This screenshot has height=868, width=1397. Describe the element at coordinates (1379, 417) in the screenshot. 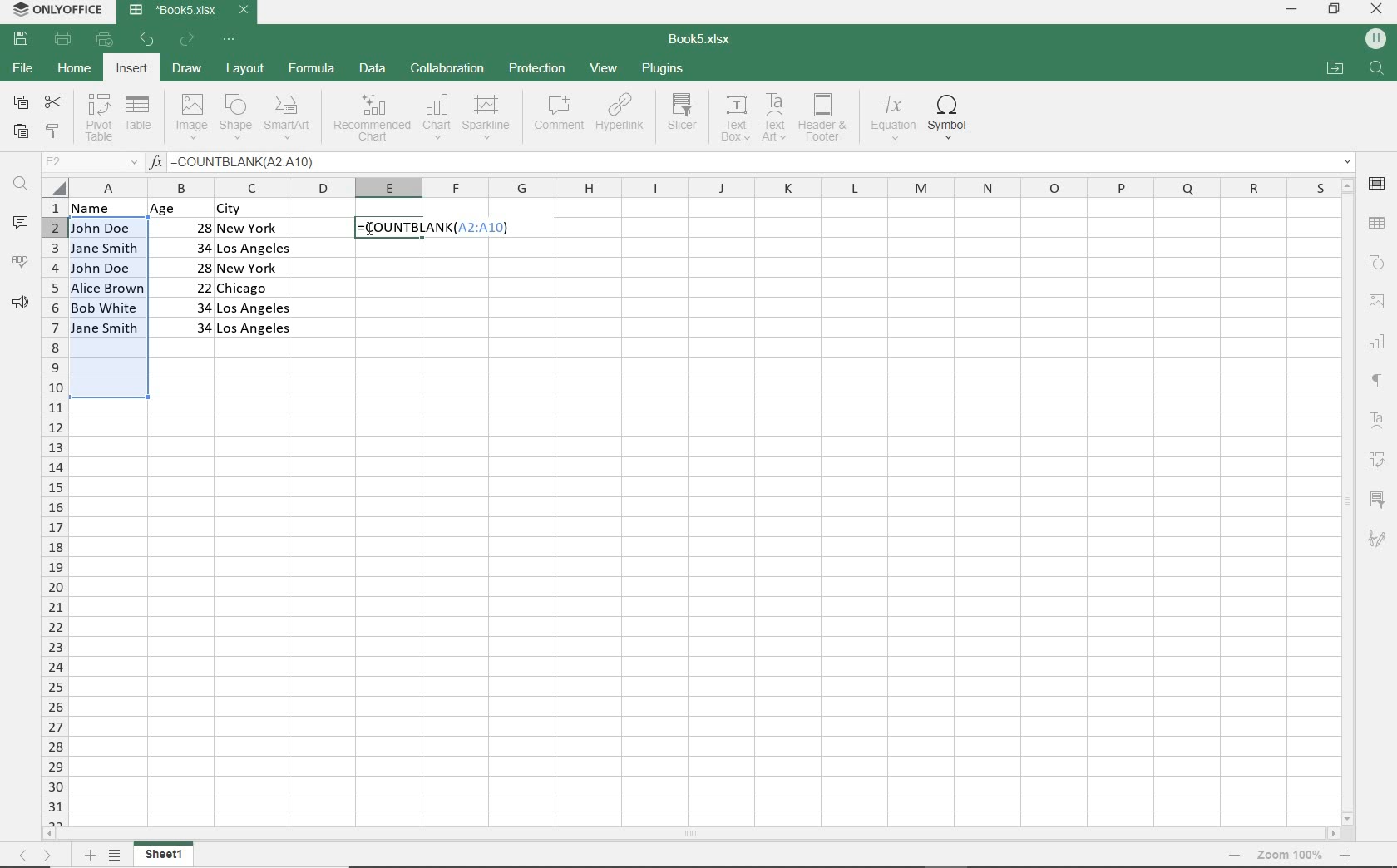

I see `TEXT ART` at that location.